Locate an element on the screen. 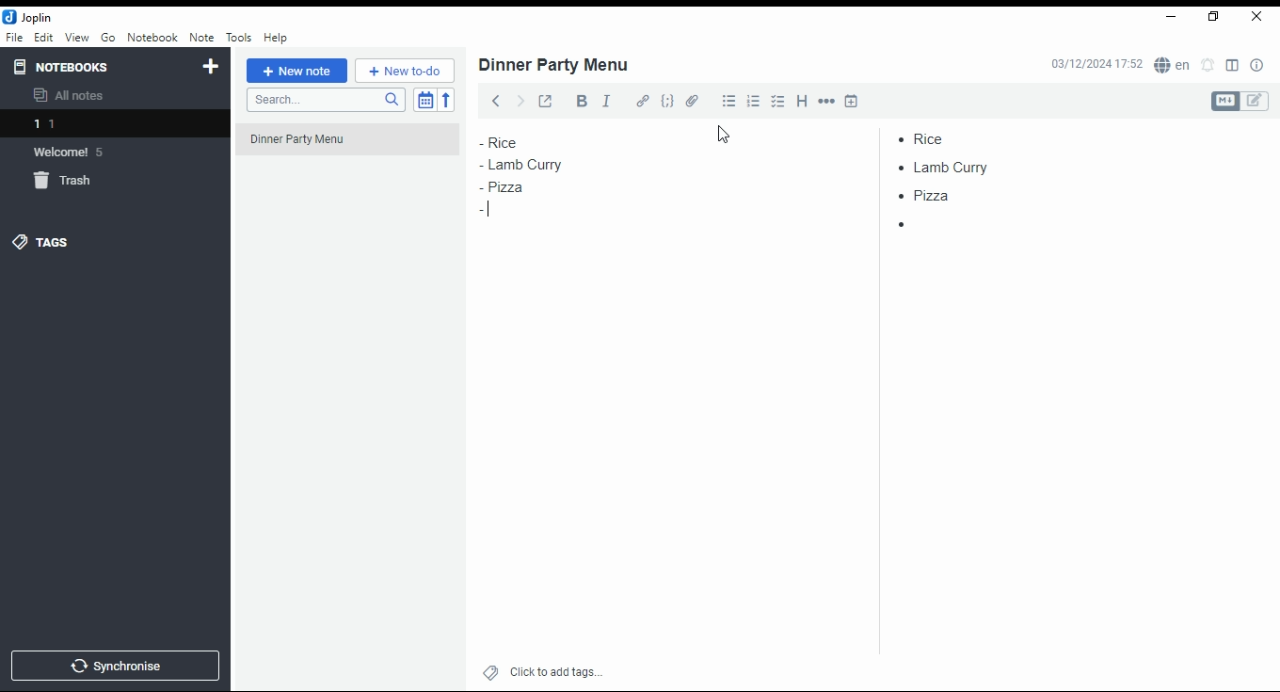 The height and width of the screenshot is (692, 1280). bullet list is located at coordinates (731, 101).